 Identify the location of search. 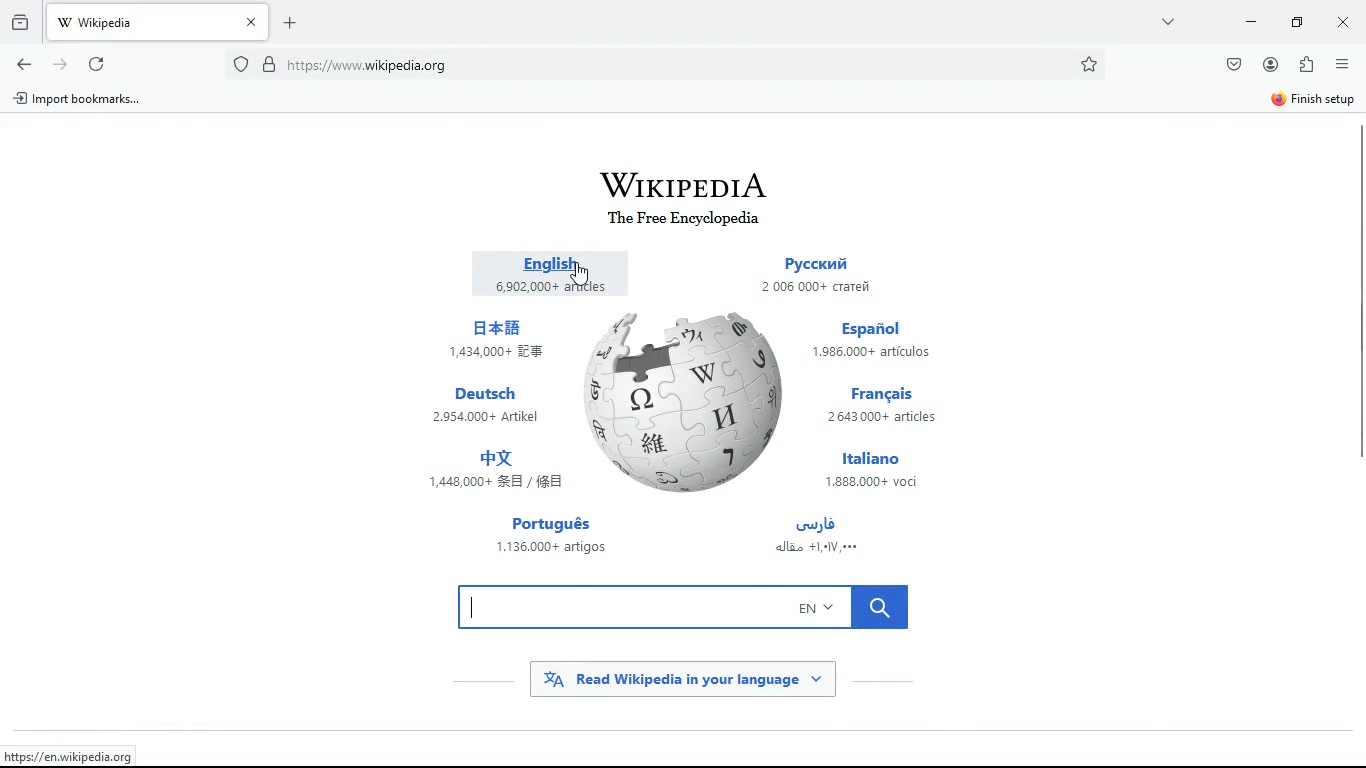
(694, 606).